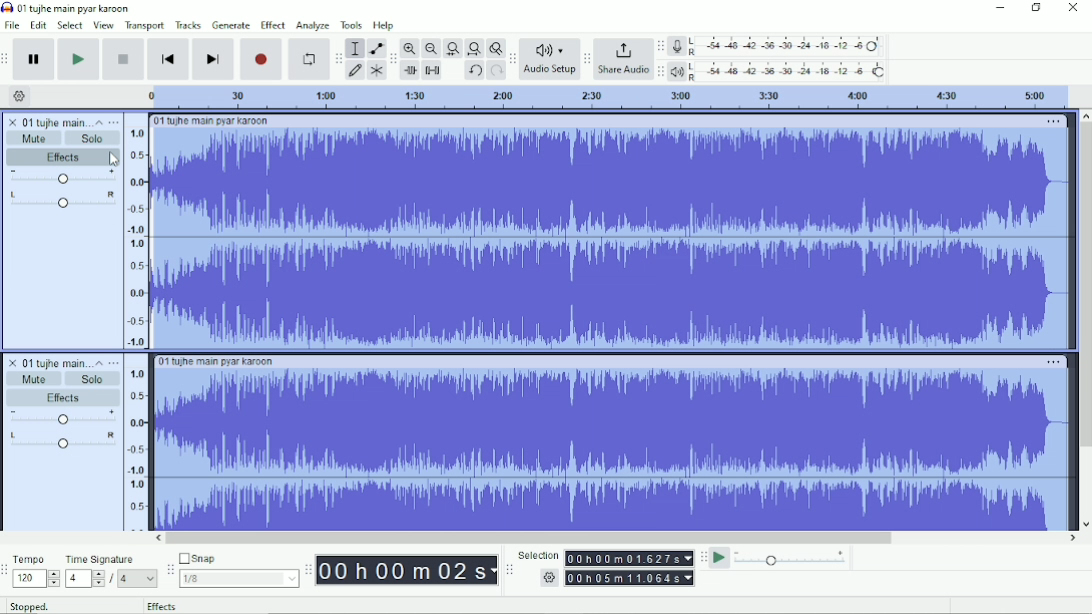  What do you see at coordinates (494, 48) in the screenshot?
I see `Zoom toggle` at bounding box center [494, 48].